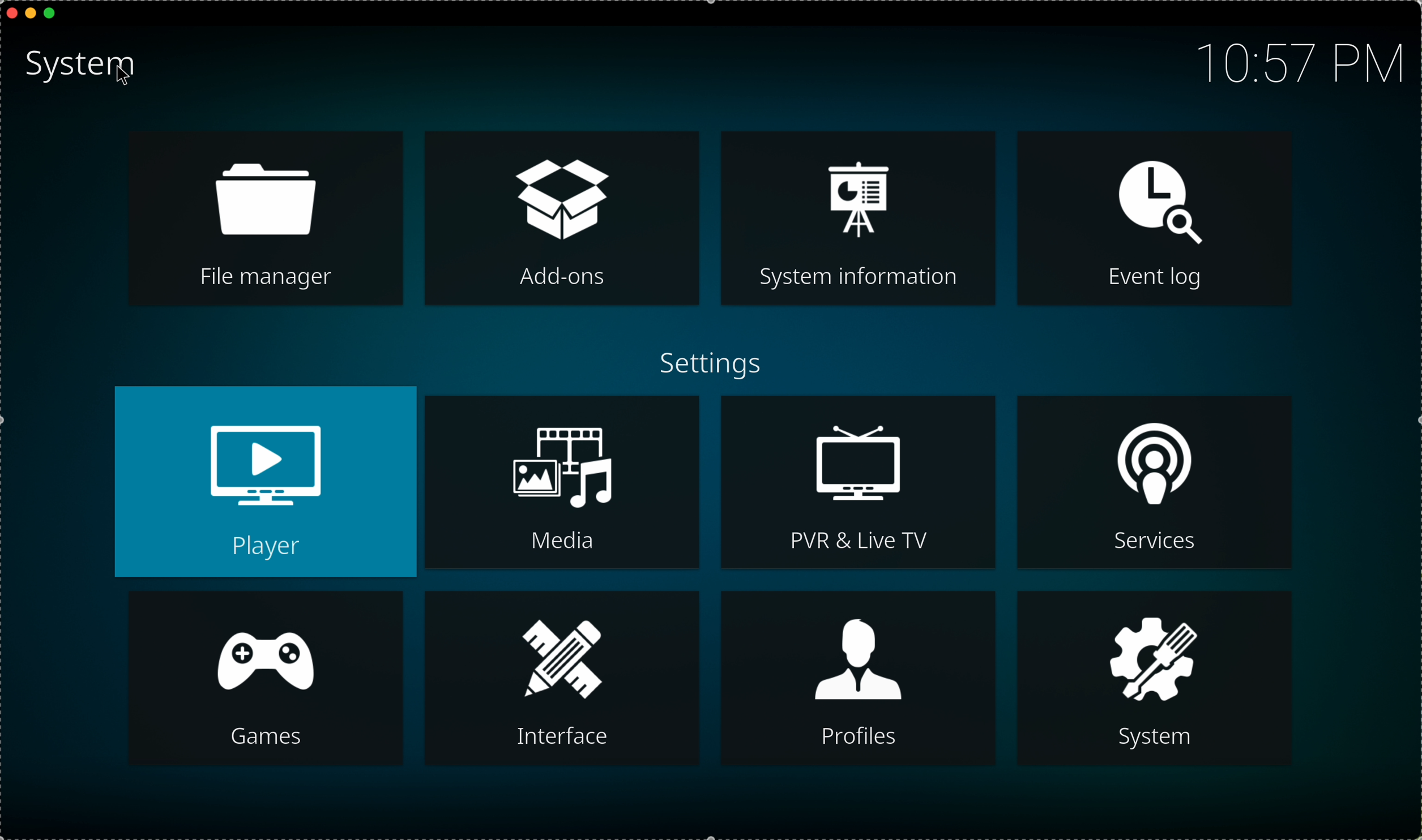  What do you see at coordinates (266, 479) in the screenshot?
I see `player` at bounding box center [266, 479].